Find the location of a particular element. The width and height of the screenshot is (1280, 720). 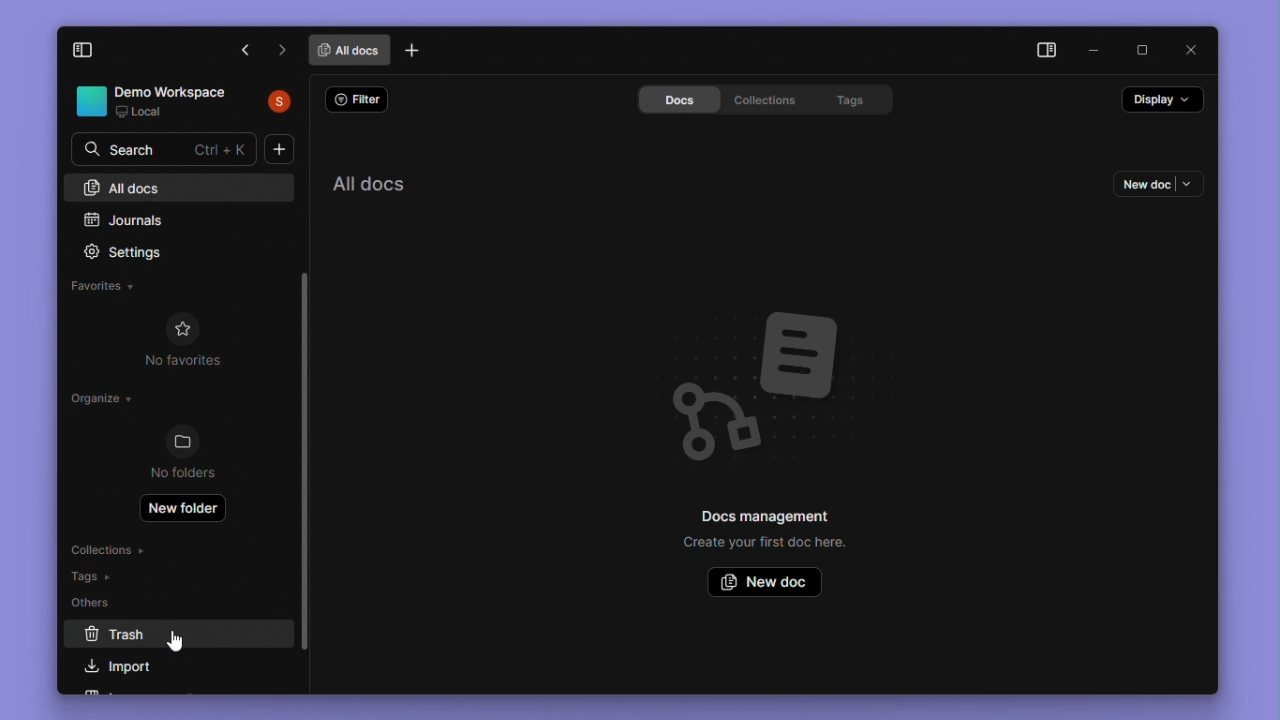

Collapse side bar is located at coordinates (1046, 49).